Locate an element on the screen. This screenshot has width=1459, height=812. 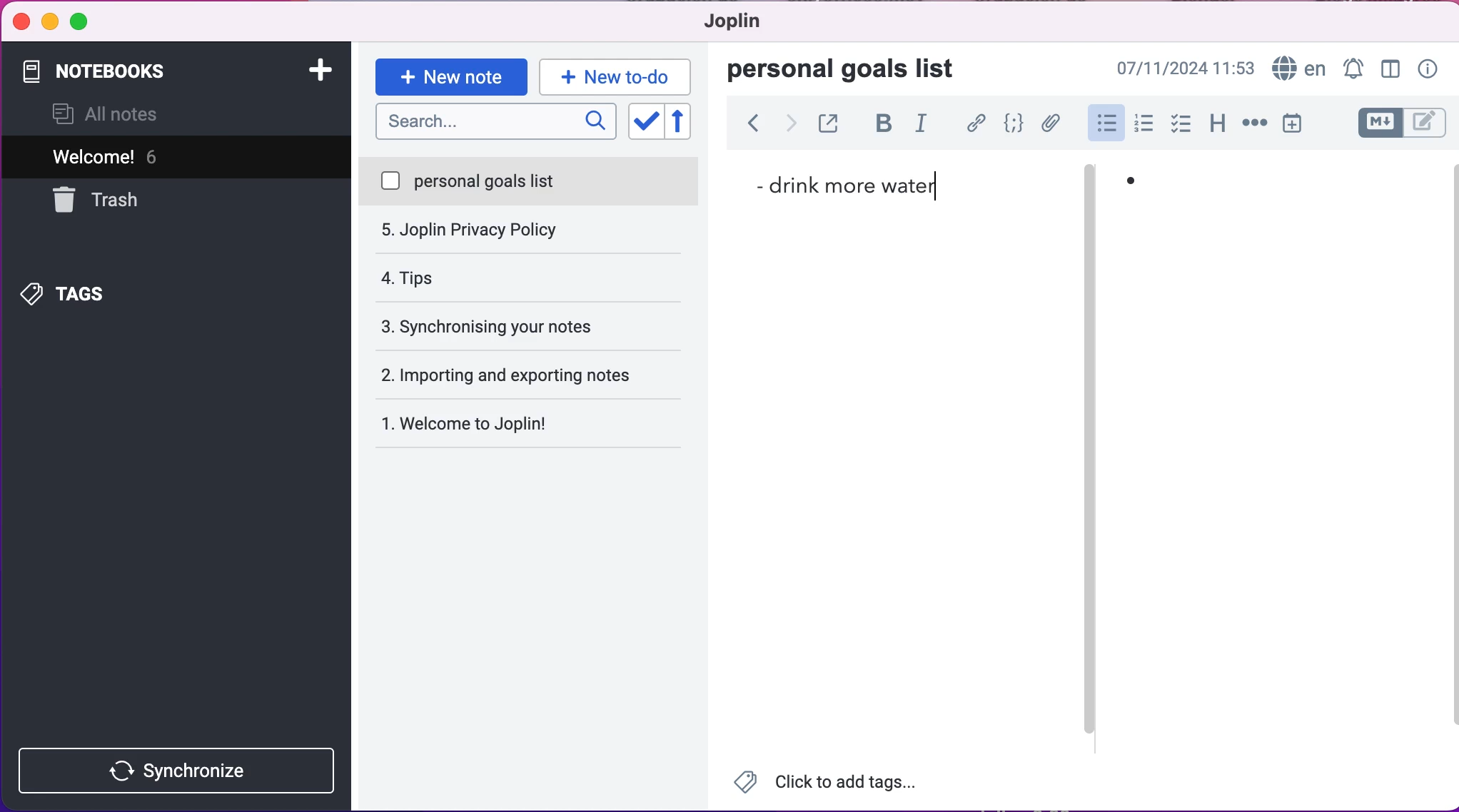
horizontal rule is located at coordinates (1252, 128).